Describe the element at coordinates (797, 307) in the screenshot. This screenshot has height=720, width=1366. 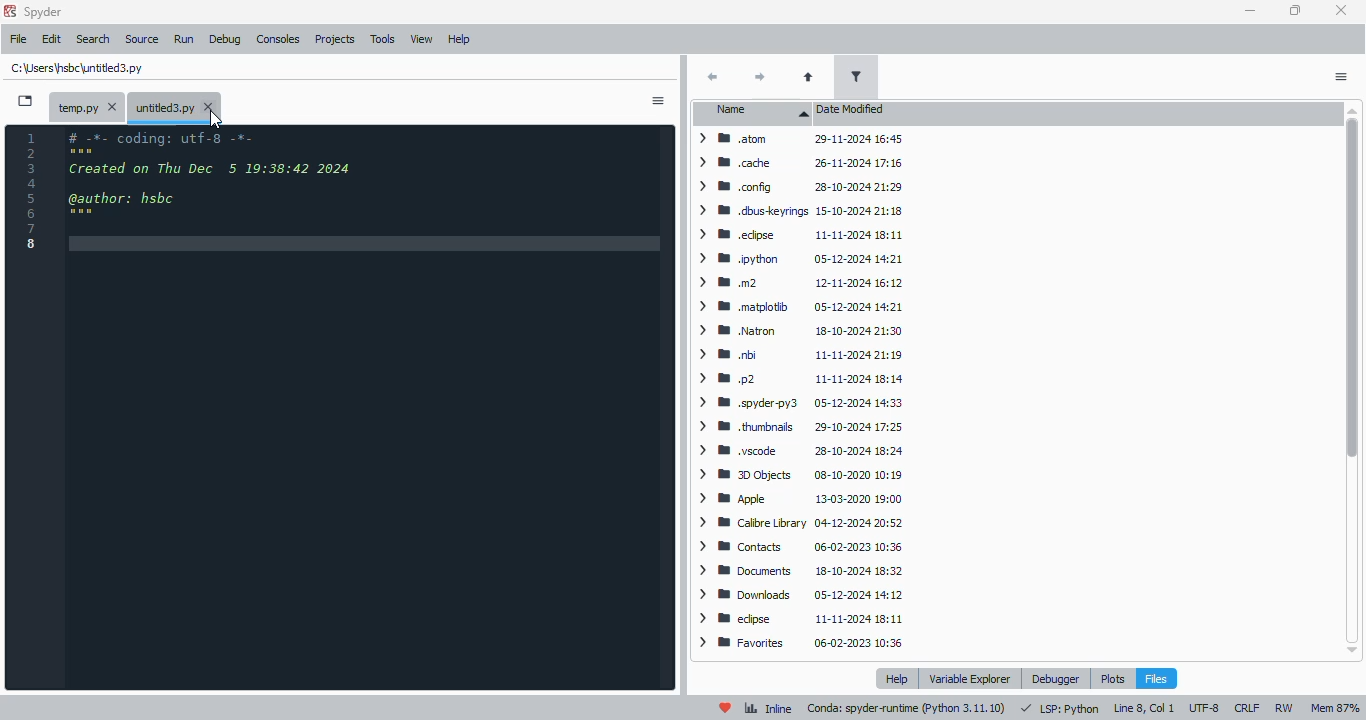
I see `> BB .matpotib 05-12-2024 14:21` at that location.